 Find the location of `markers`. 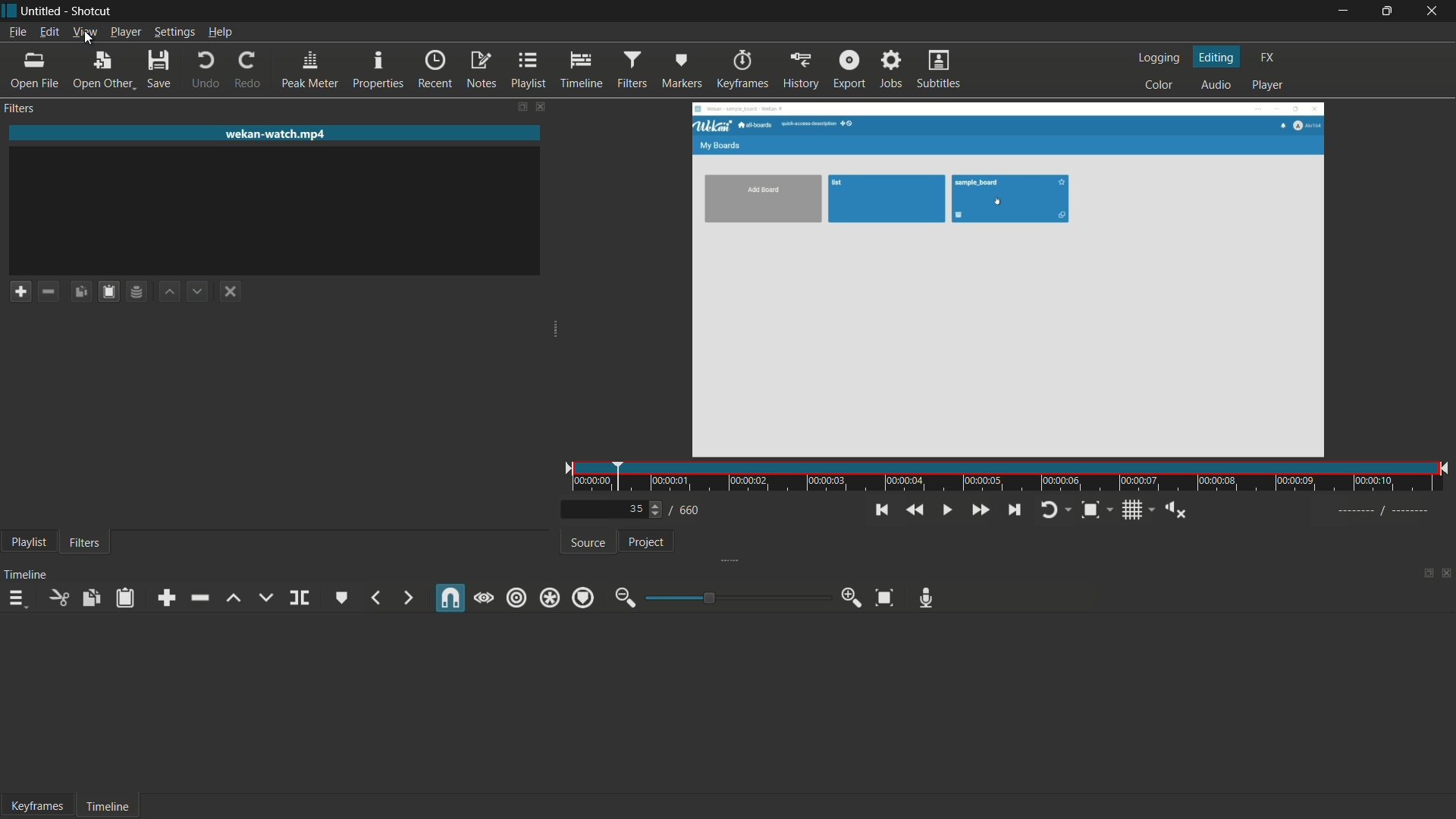

markers is located at coordinates (683, 71).